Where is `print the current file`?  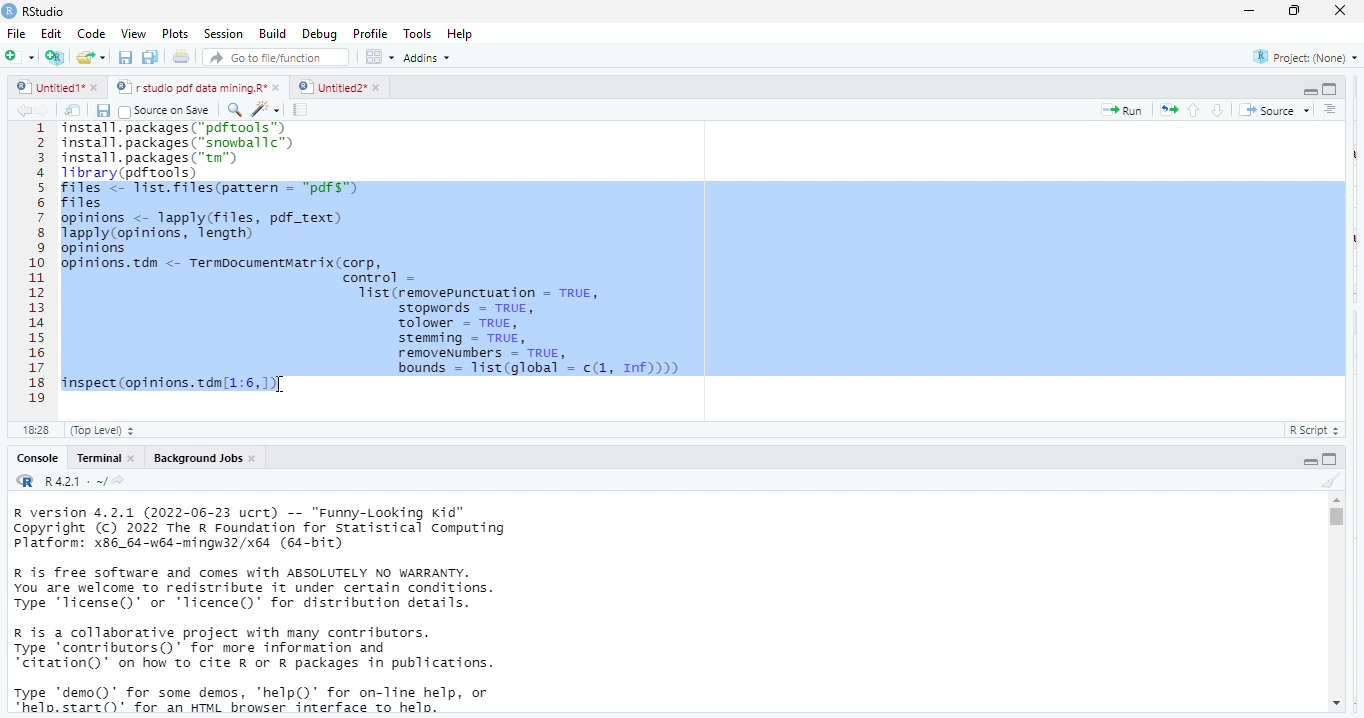
print the current file is located at coordinates (182, 58).